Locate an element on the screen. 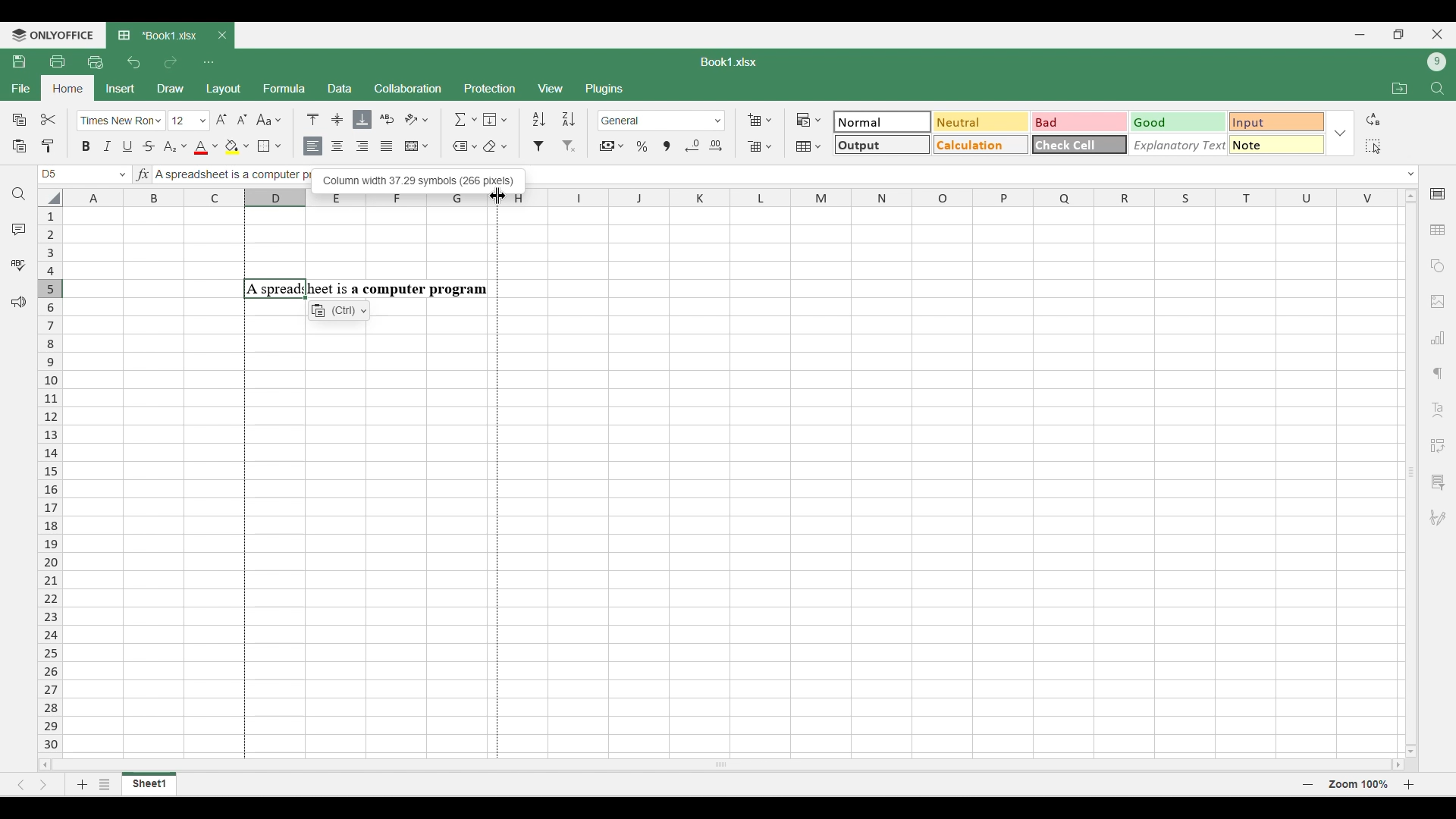  Spell check is located at coordinates (18, 265).